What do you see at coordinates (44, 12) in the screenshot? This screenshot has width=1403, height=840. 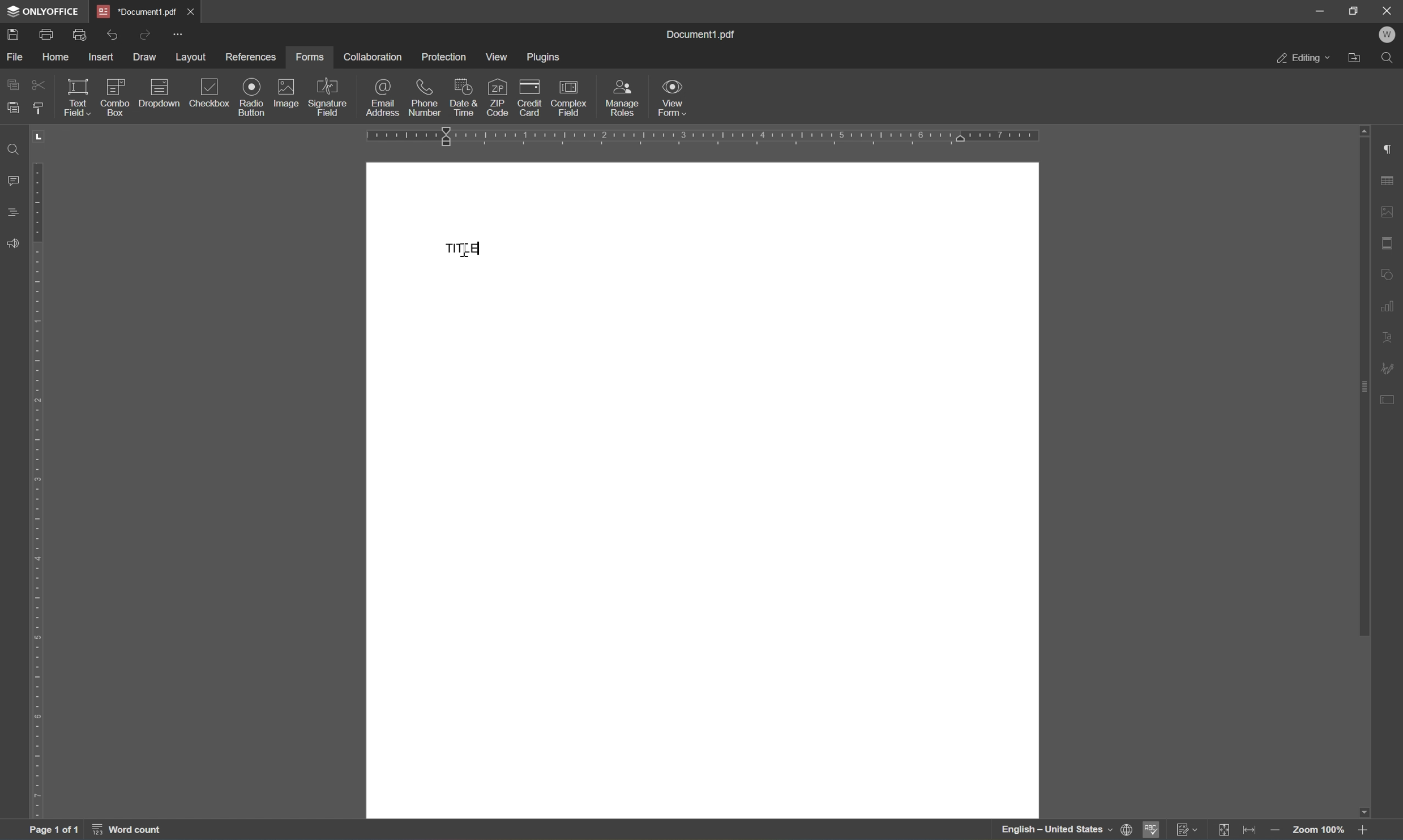 I see `onlyoffice` at bounding box center [44, 12].